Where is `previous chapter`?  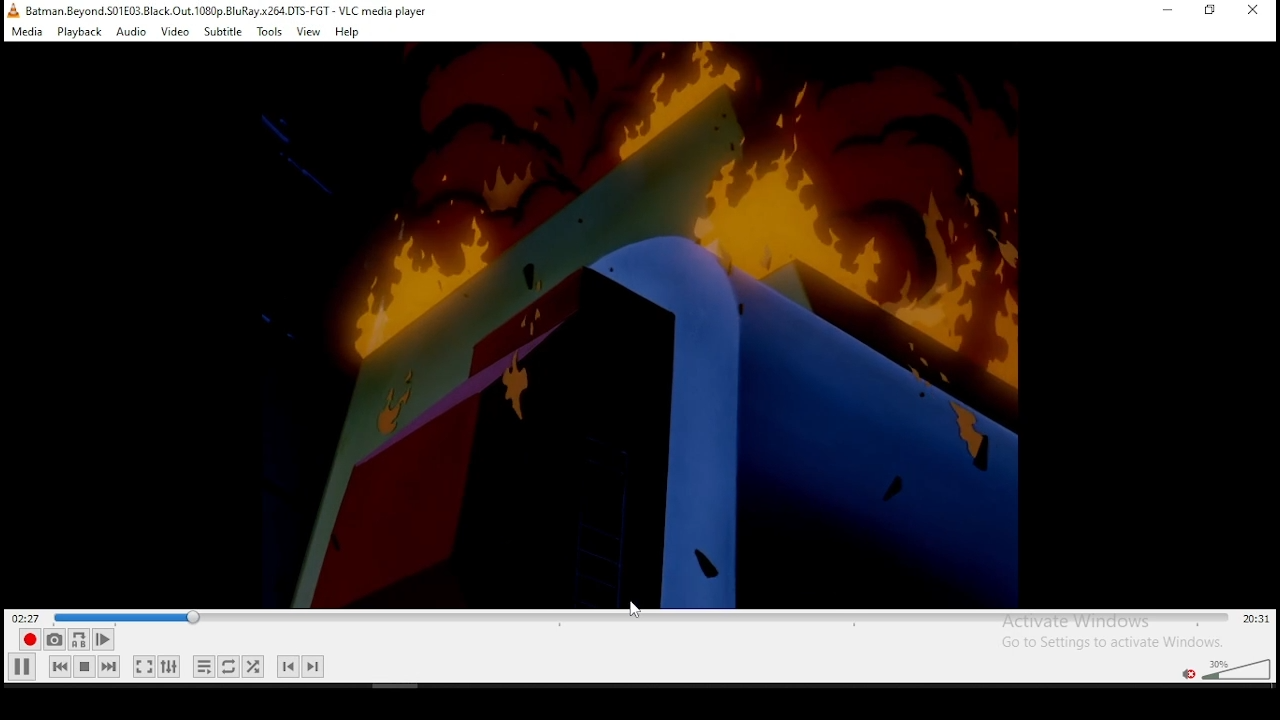 previous chapter is located at coordinates (288, 666).